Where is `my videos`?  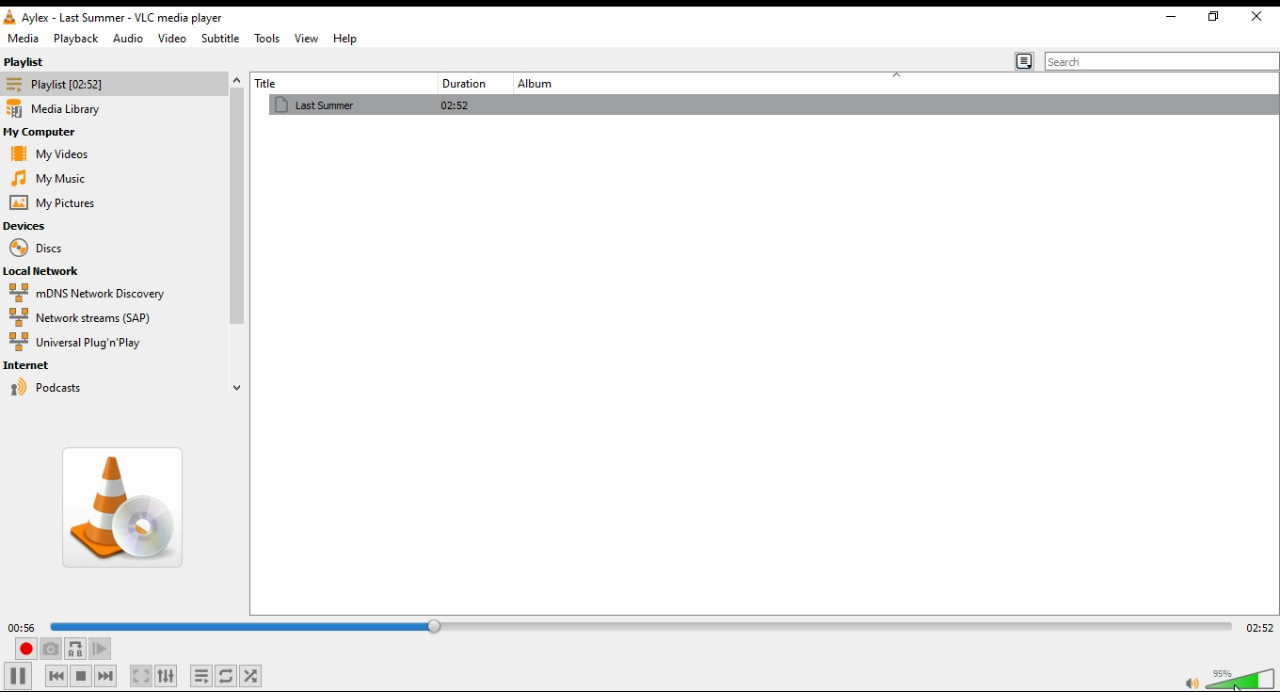 my videos is located at coordinates (47, 154).